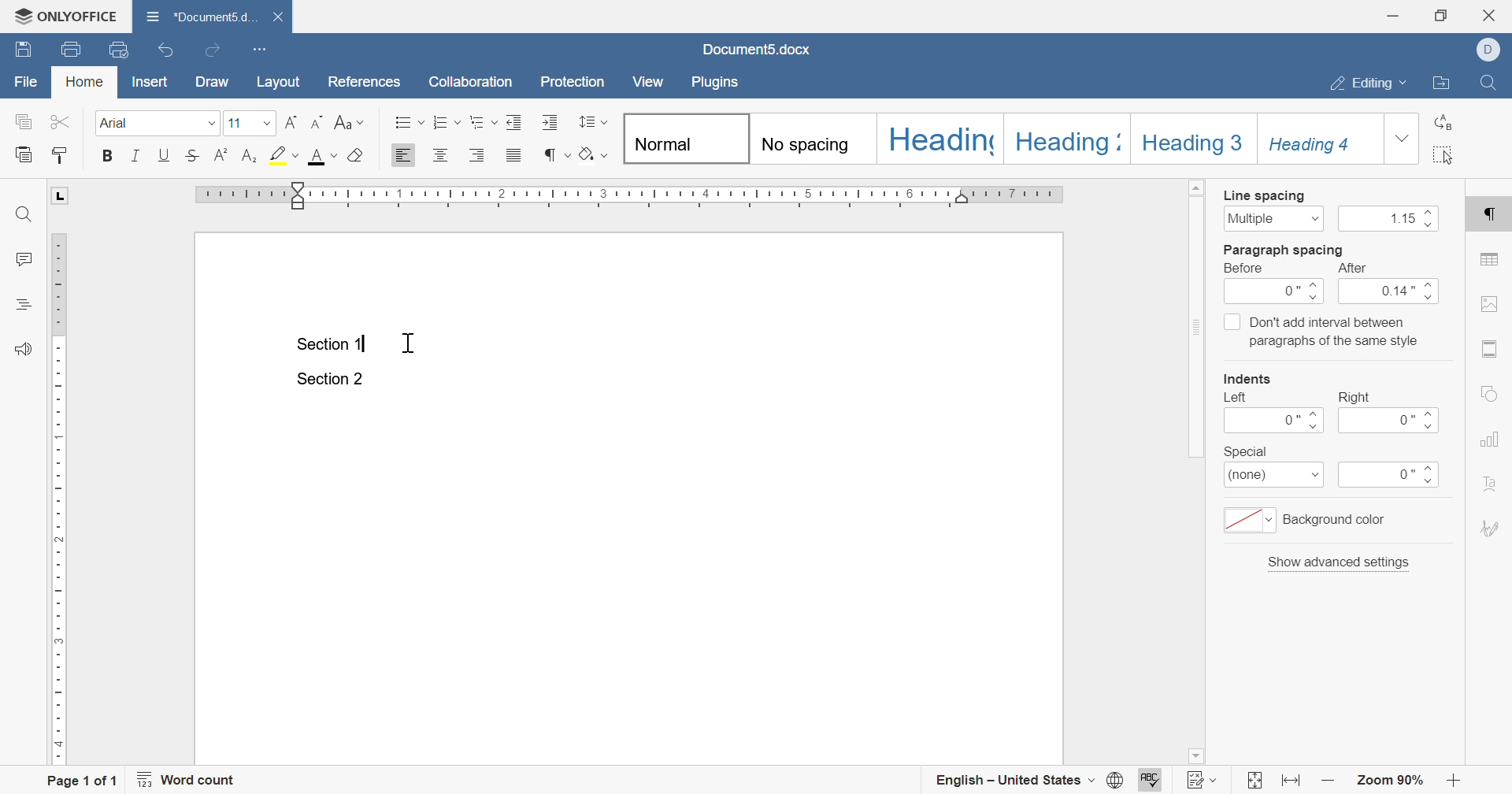 This screenshot has height=794, width=1512. What do you see at coordinates (1491, 217) in the screenshot?
I see `paragraph settings` at bounding box center [1491, 217].